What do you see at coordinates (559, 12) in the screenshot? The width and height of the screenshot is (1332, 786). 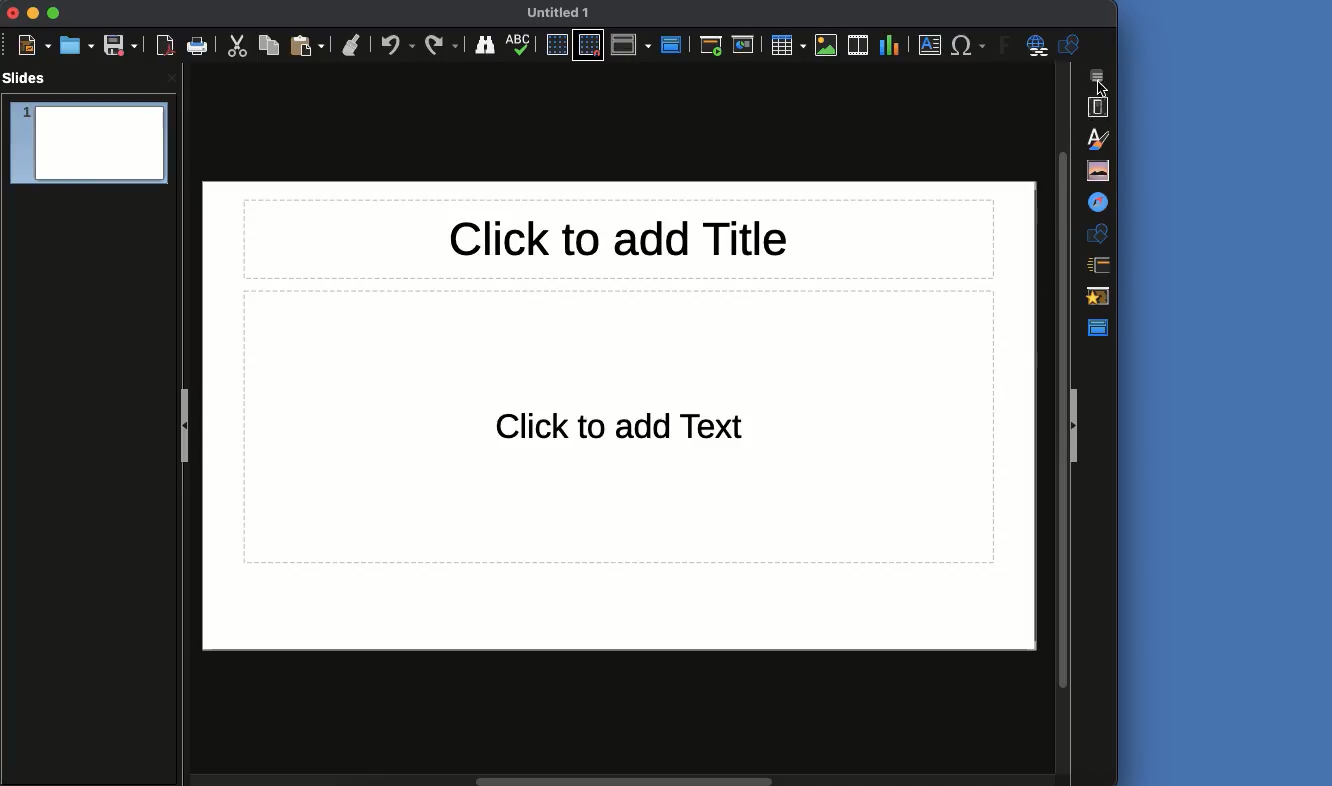 I see `` at bounding box center [559, 12].